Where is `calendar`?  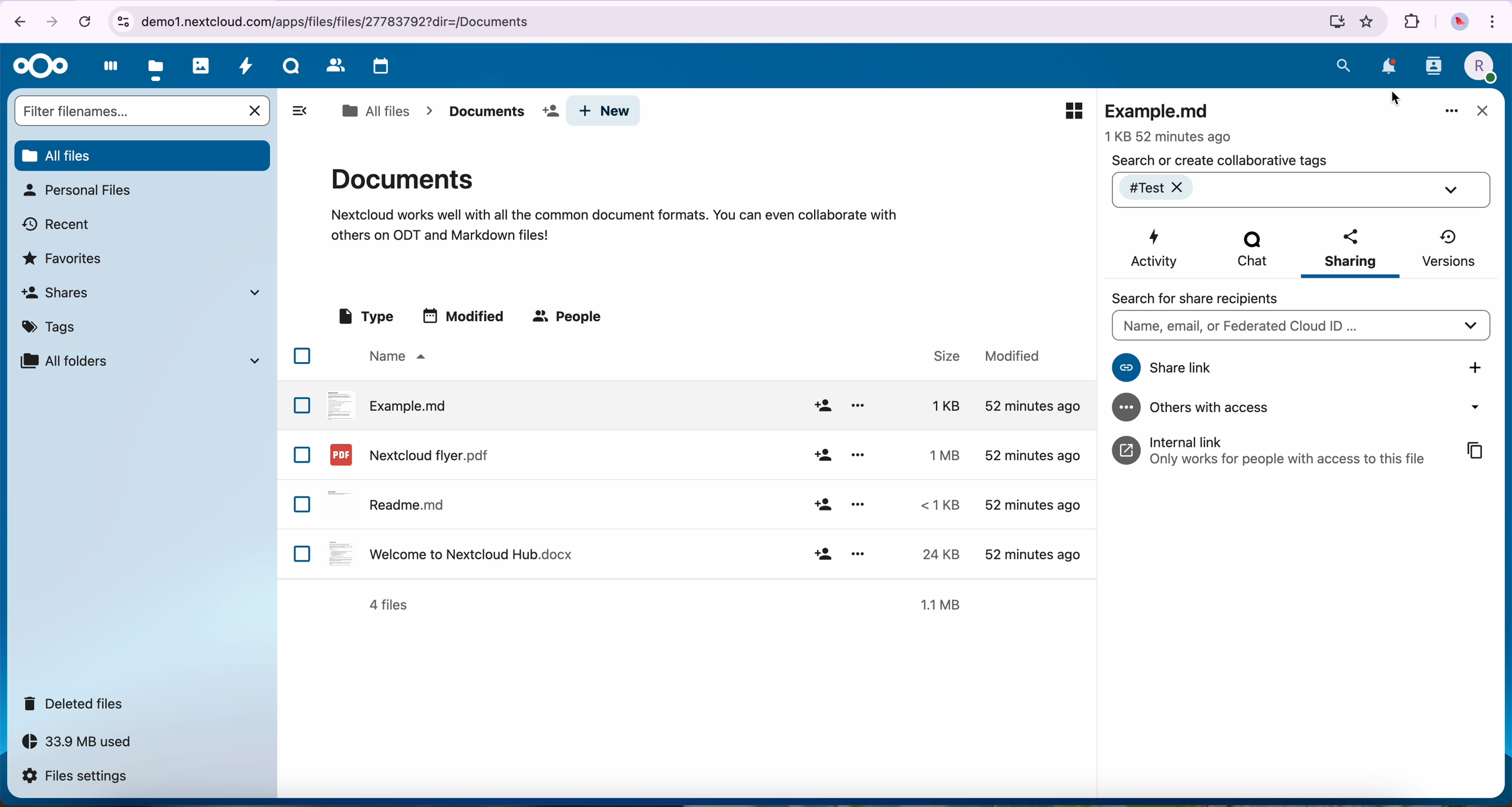 calendar is located at coordinates (378, 67).